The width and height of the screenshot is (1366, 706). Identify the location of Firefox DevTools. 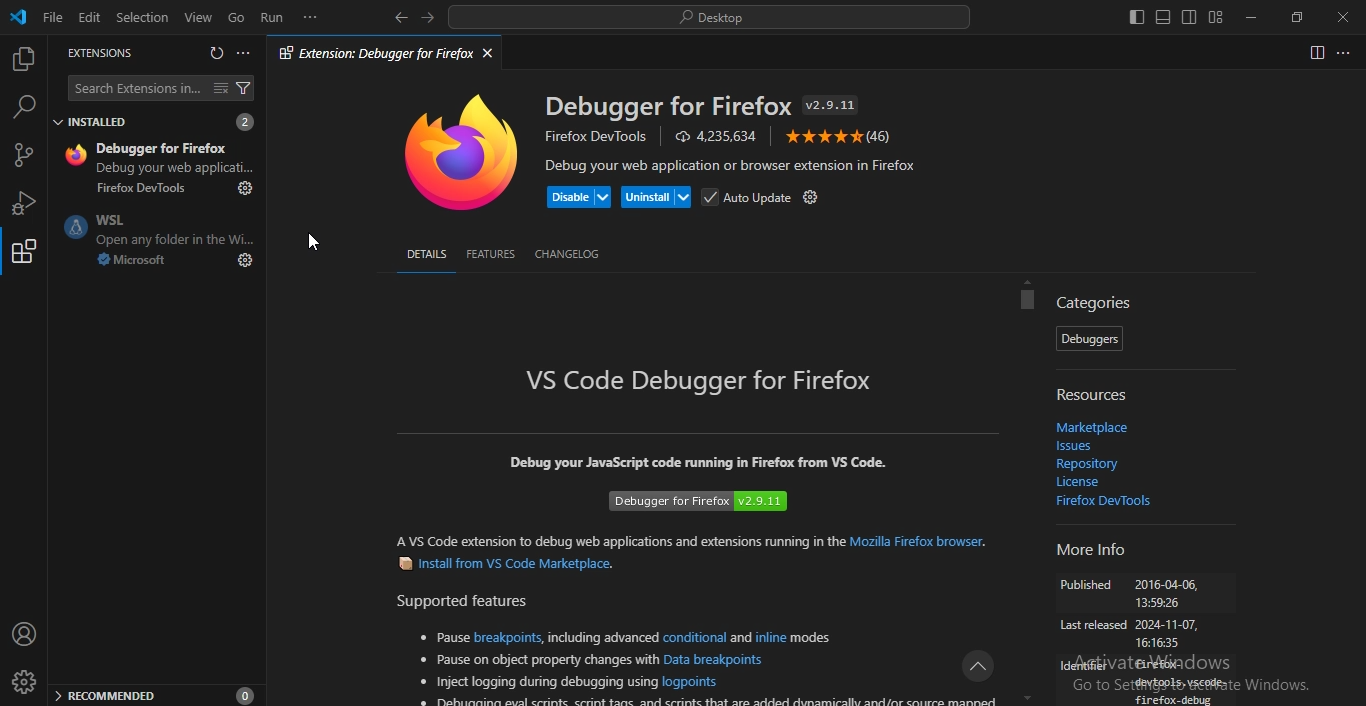
(593, 136).